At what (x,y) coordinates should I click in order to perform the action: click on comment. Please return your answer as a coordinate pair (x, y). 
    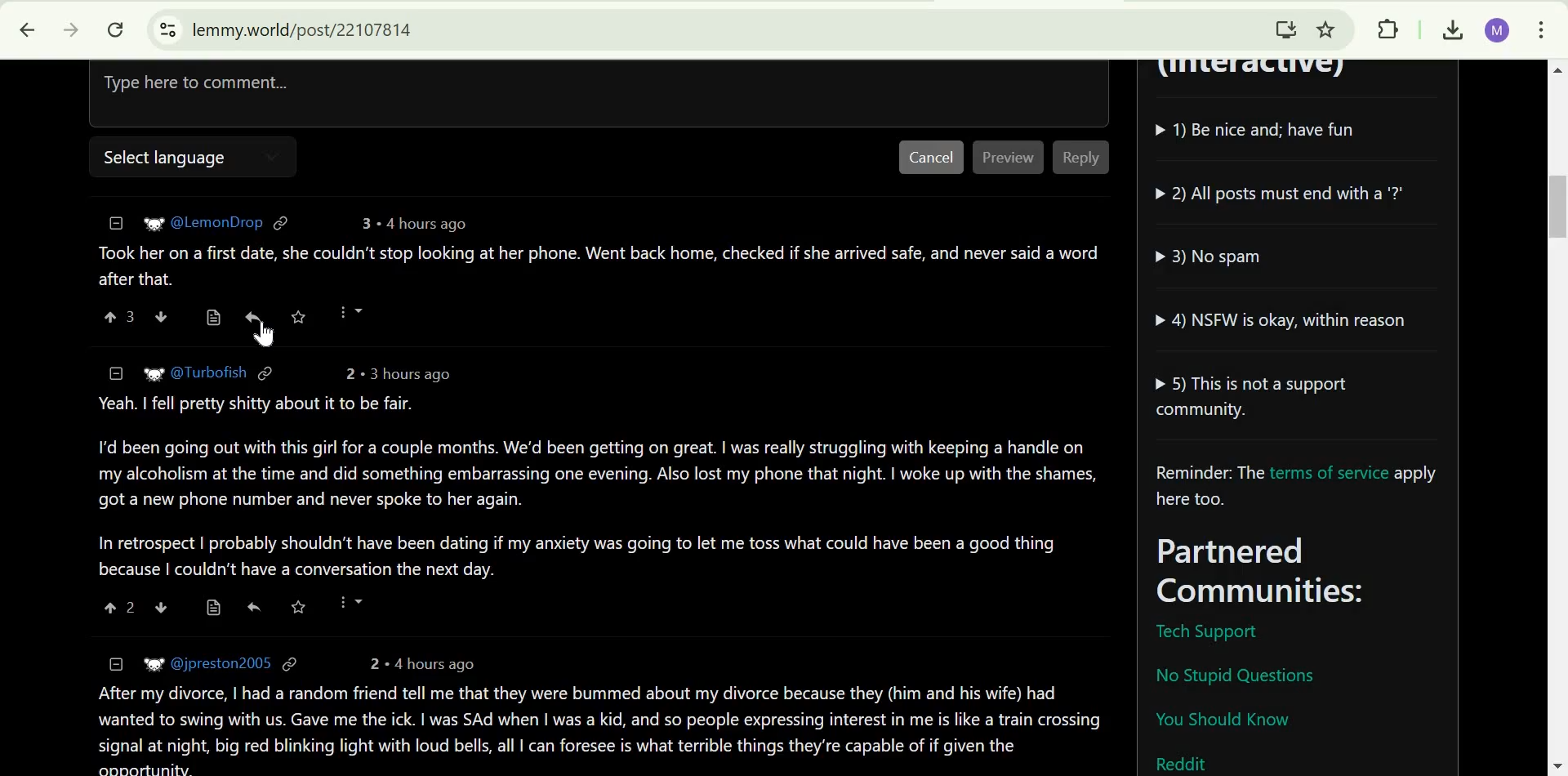
    Looking at the image, I should click on (601, 729).